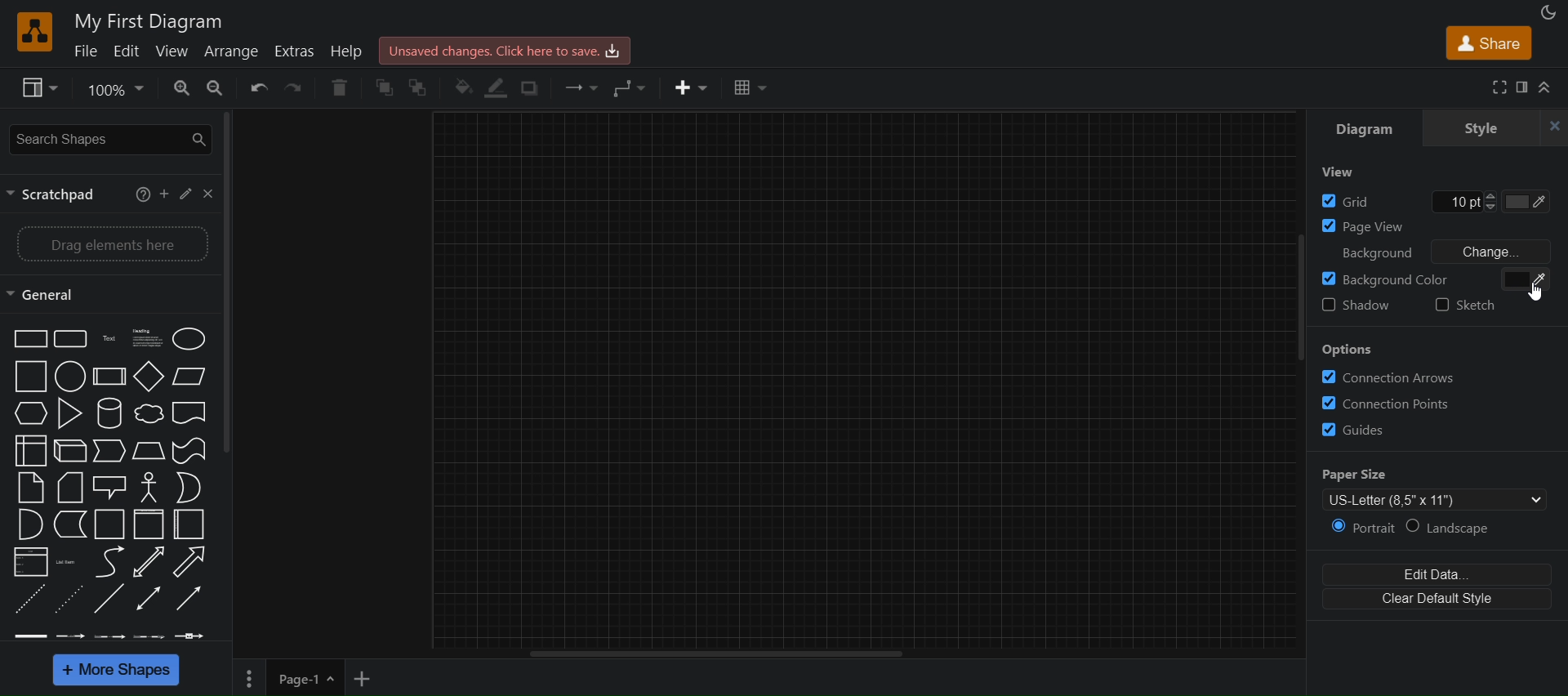  I want to click on more shapes, so click(118, 669).